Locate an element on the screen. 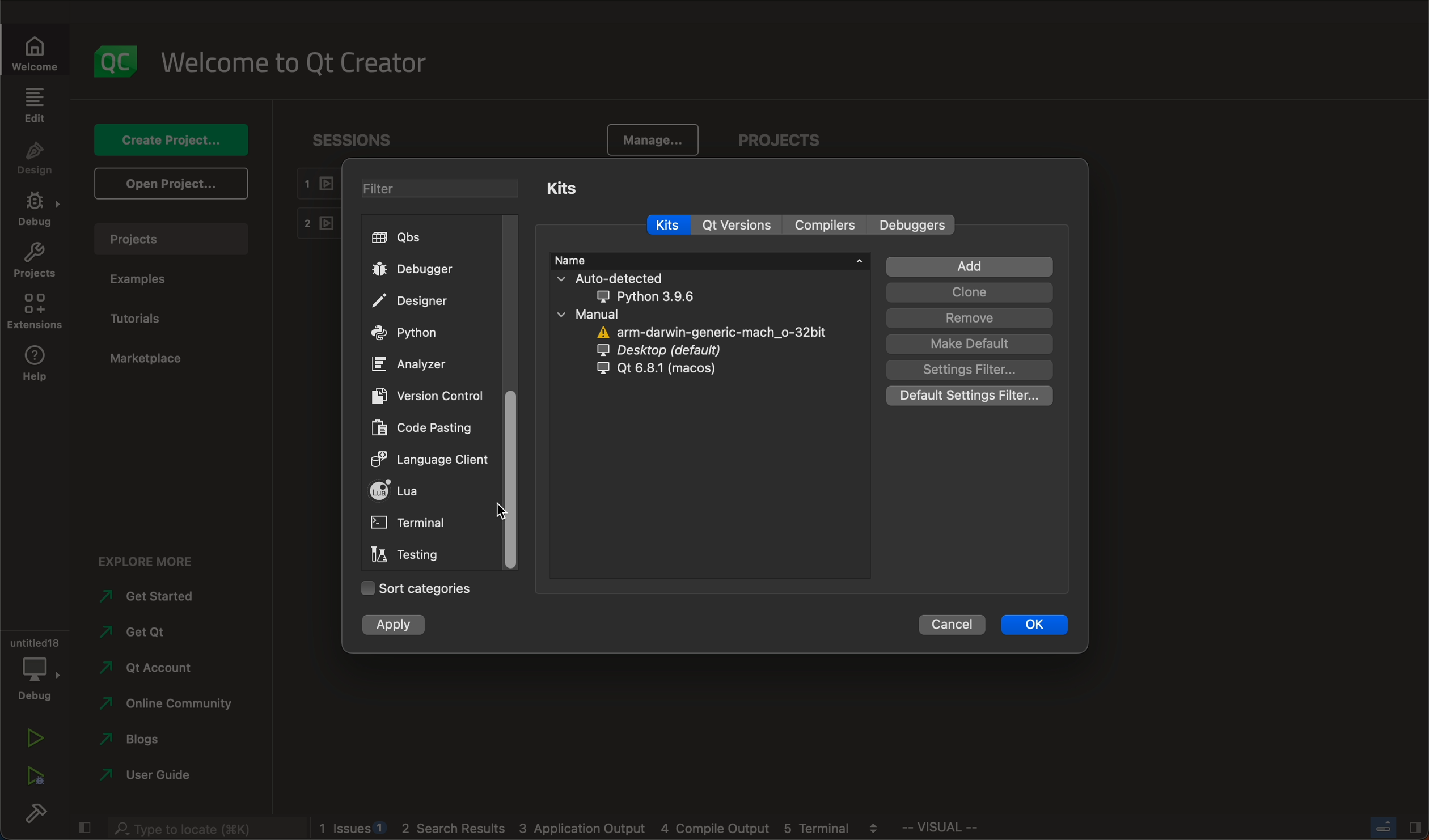  manual is located at coordinates (614, 315).